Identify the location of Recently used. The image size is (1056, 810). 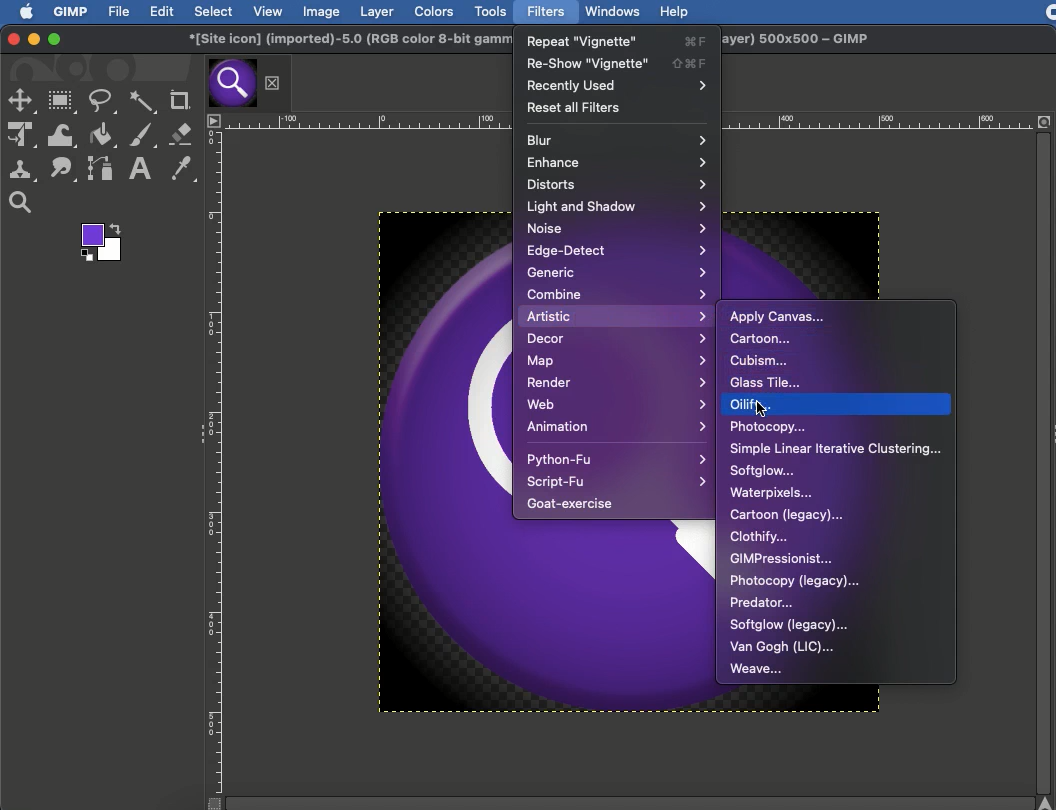
(616, 85).